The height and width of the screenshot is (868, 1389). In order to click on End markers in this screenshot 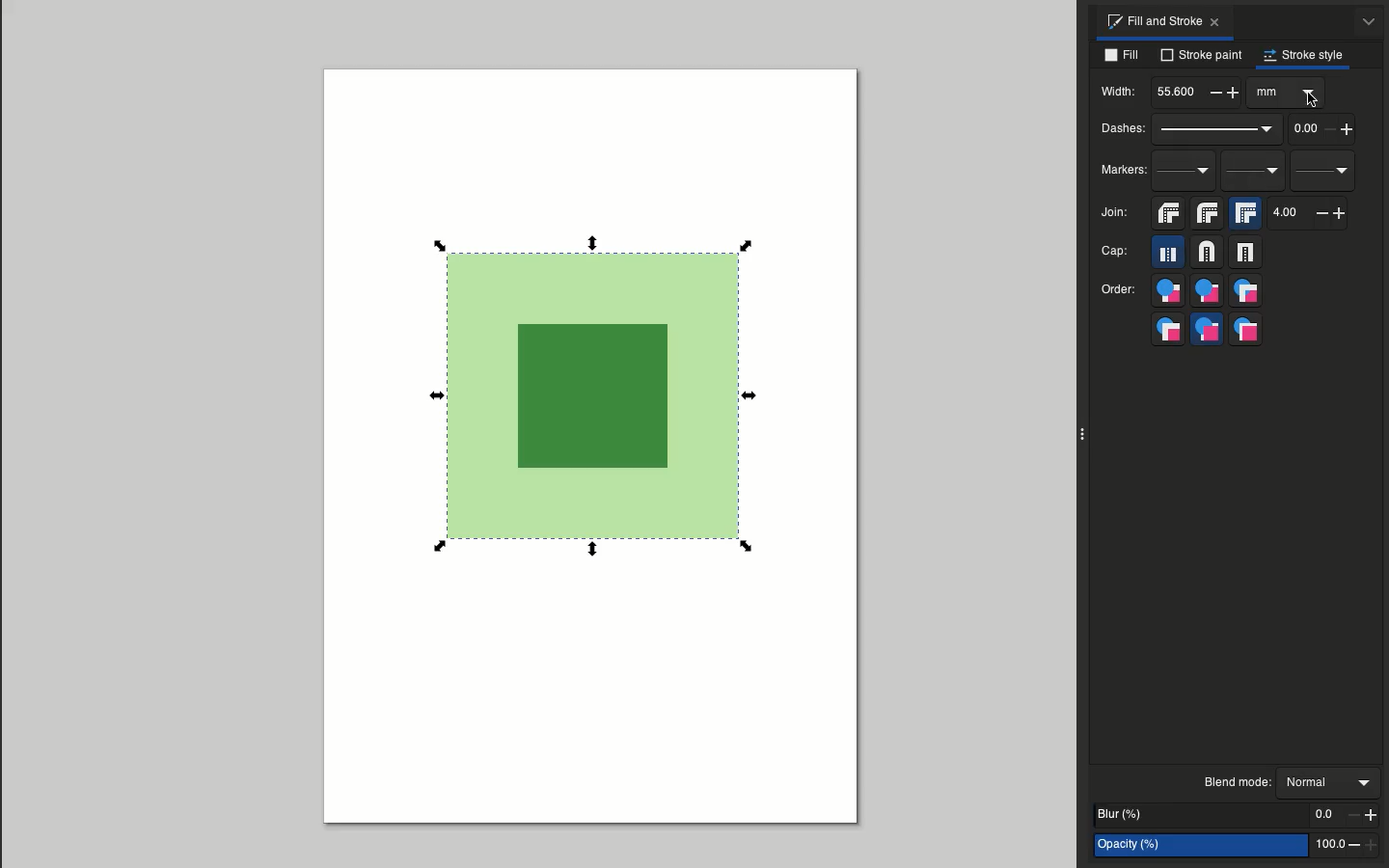, I will do `click(1321, 173)`.